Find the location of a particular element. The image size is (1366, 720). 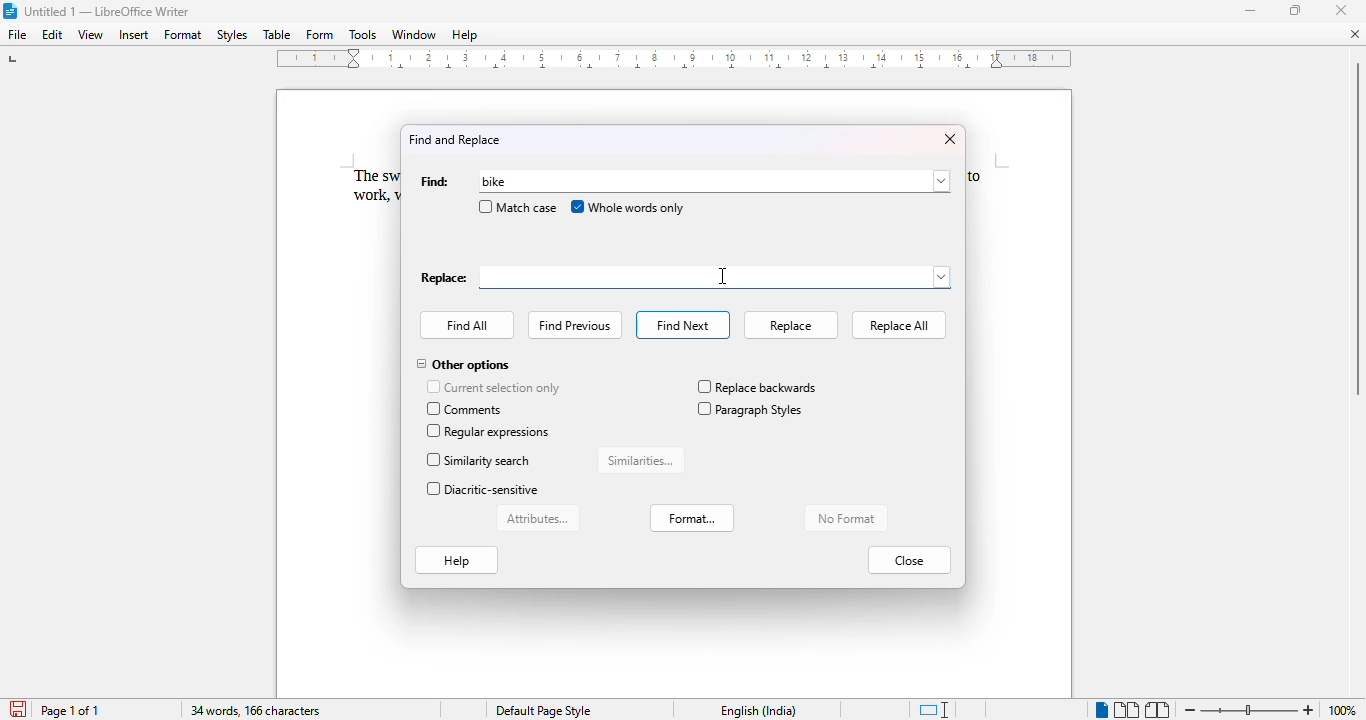

Change zoom levele is located at coordinates (1248, 711).